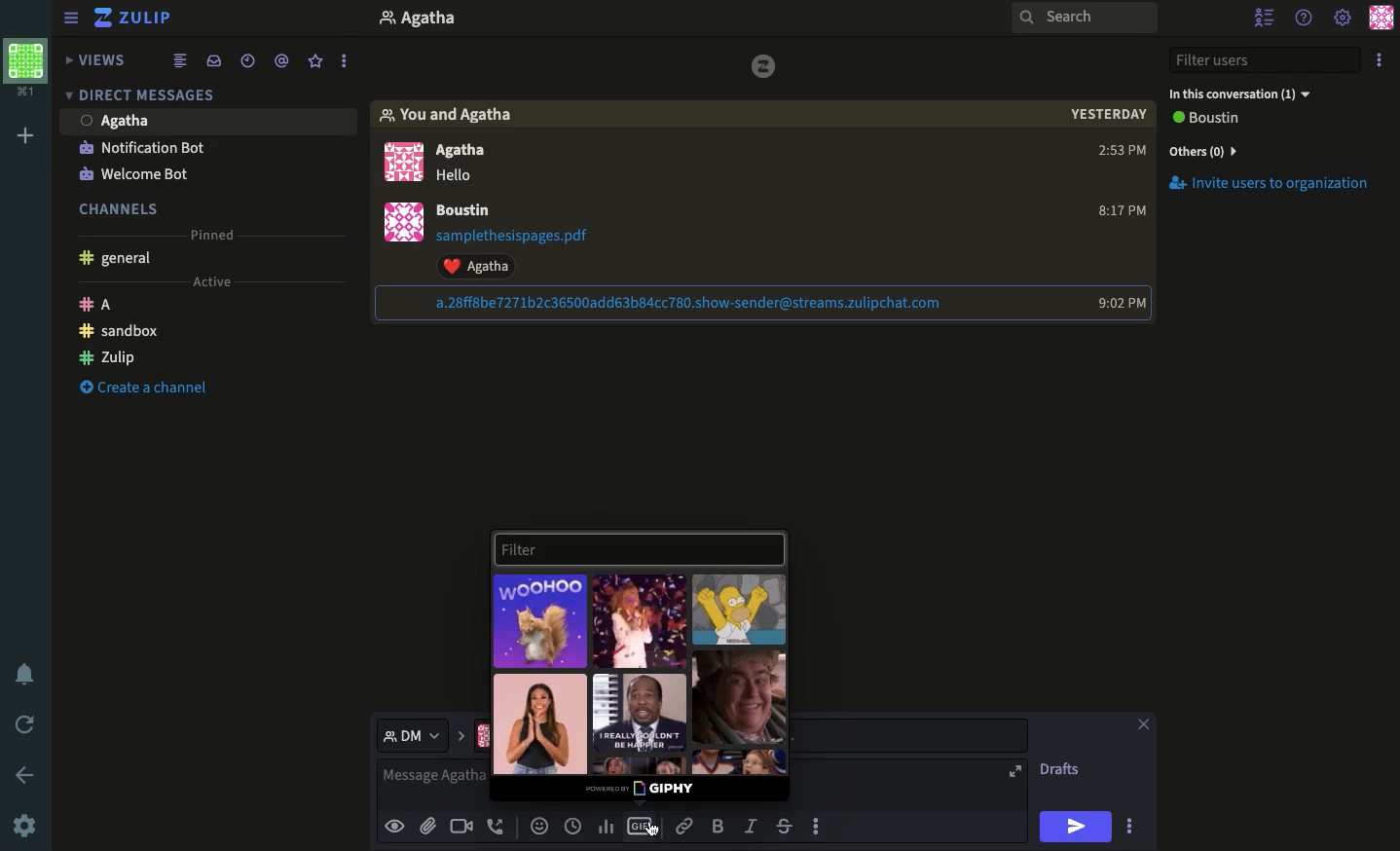 The height and width of the screenshot is (851, 1400). What do you see at coordinates (643, 712) in the screenshot?
I see `GIF` at bounding box center [643, 712].